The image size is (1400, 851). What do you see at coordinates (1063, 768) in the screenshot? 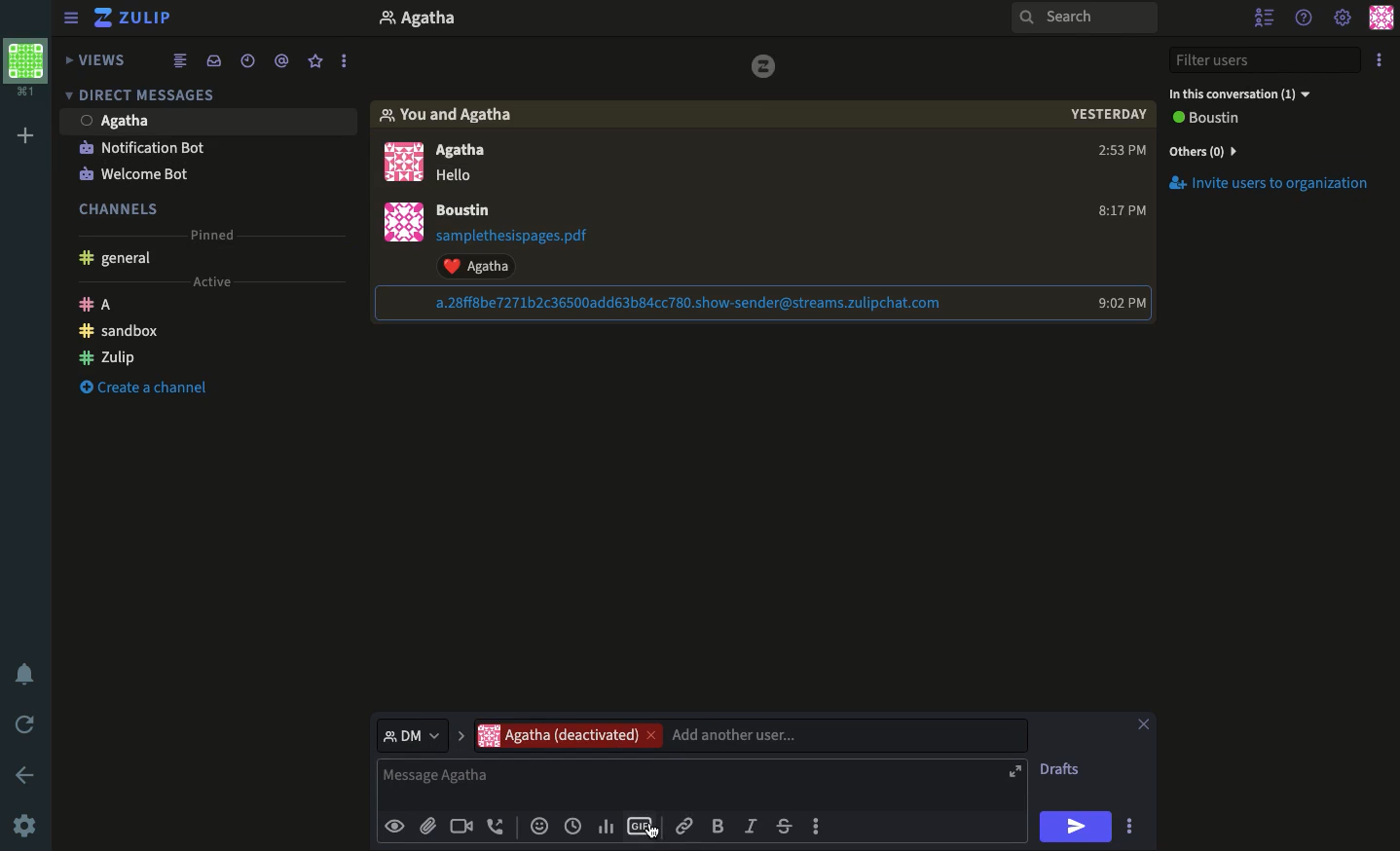
I see `Drafts` at bounding box center [1063, 768].